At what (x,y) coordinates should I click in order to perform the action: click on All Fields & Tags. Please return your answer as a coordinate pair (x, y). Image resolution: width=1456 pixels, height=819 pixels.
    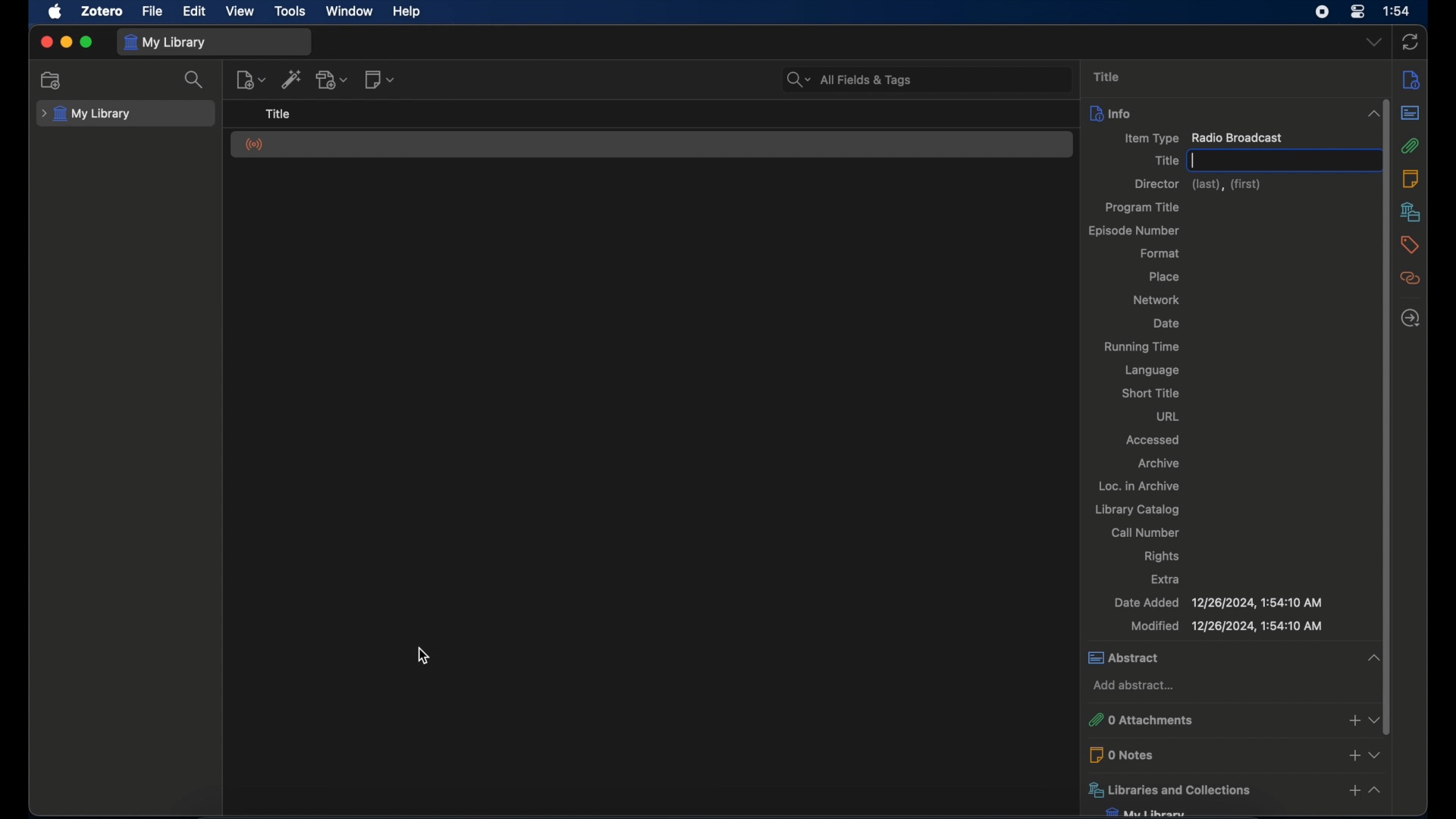
    Looking at the image, I should click on (925, 77).